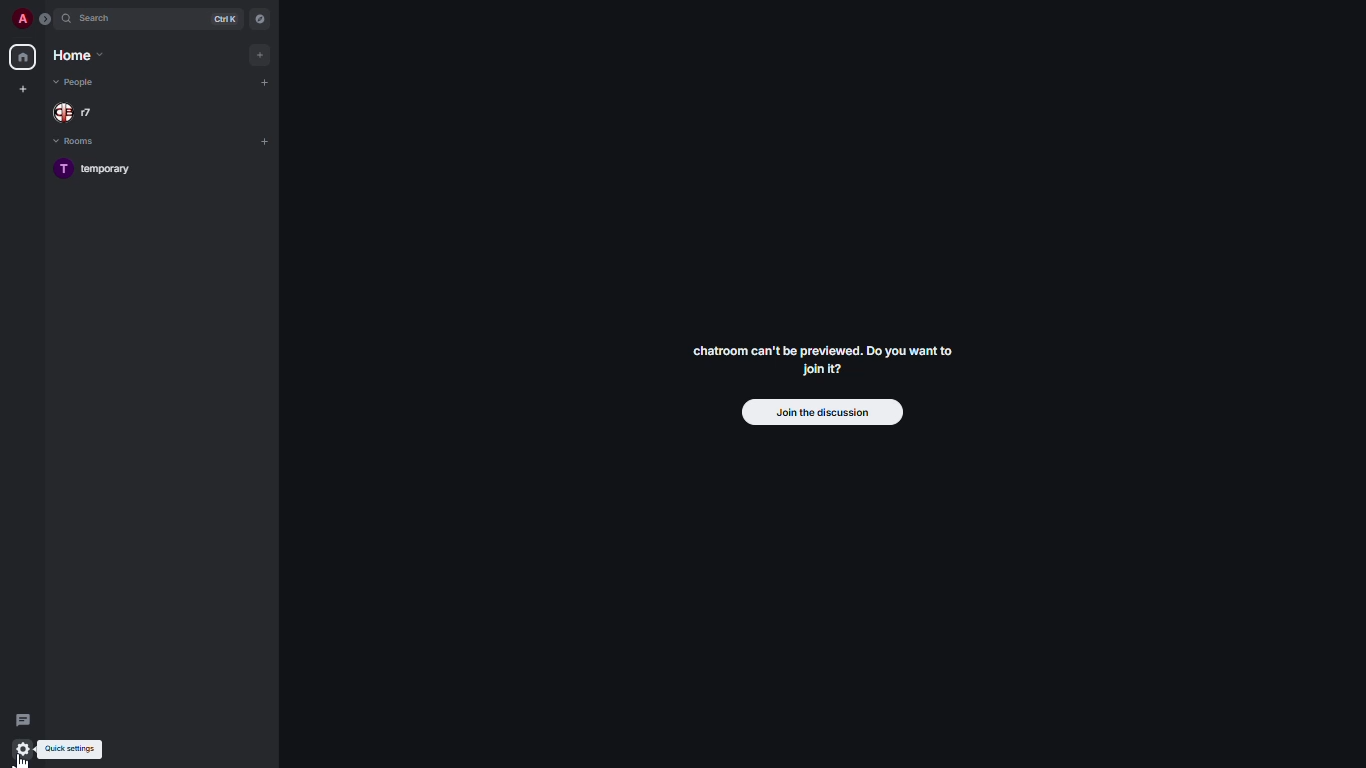  What do you see at coordinates (48, 19) in the screenshot?
I see `expand` at bounding box center [48, 19].